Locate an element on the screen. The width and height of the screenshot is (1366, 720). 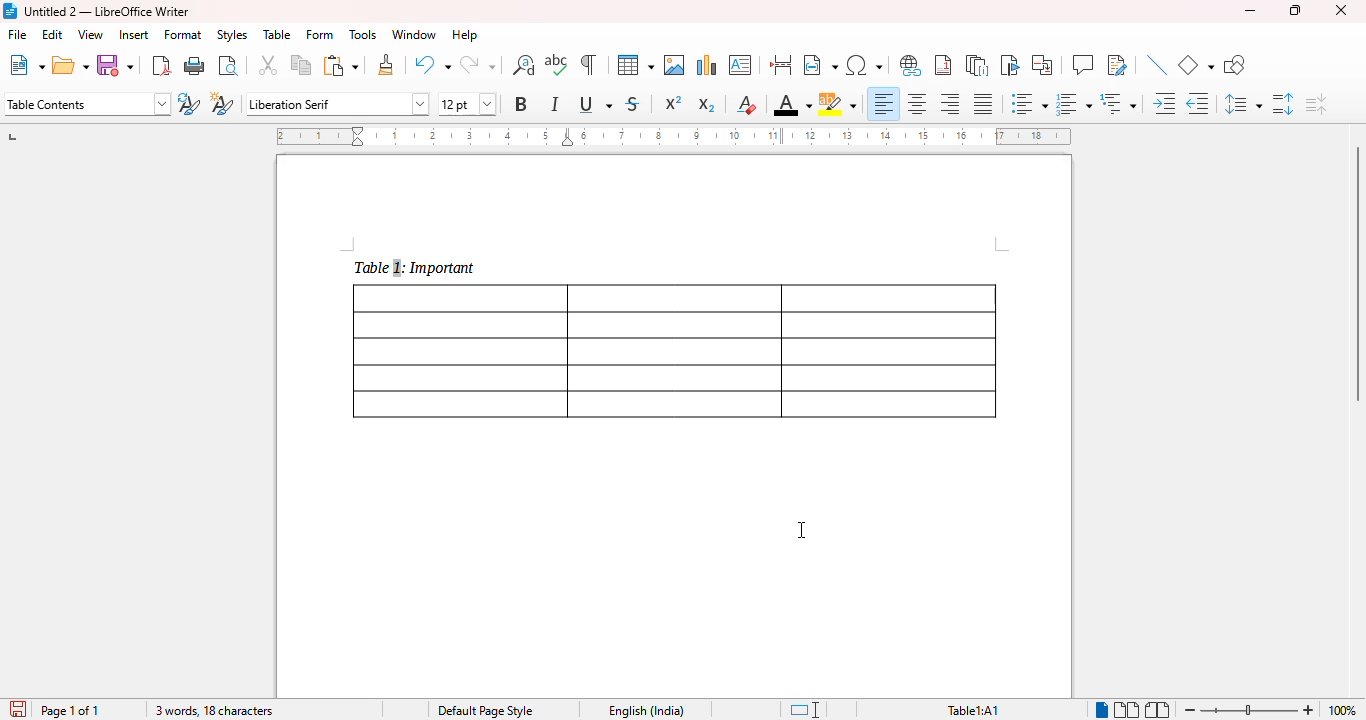
set page style is located at coordinates (88, 104).